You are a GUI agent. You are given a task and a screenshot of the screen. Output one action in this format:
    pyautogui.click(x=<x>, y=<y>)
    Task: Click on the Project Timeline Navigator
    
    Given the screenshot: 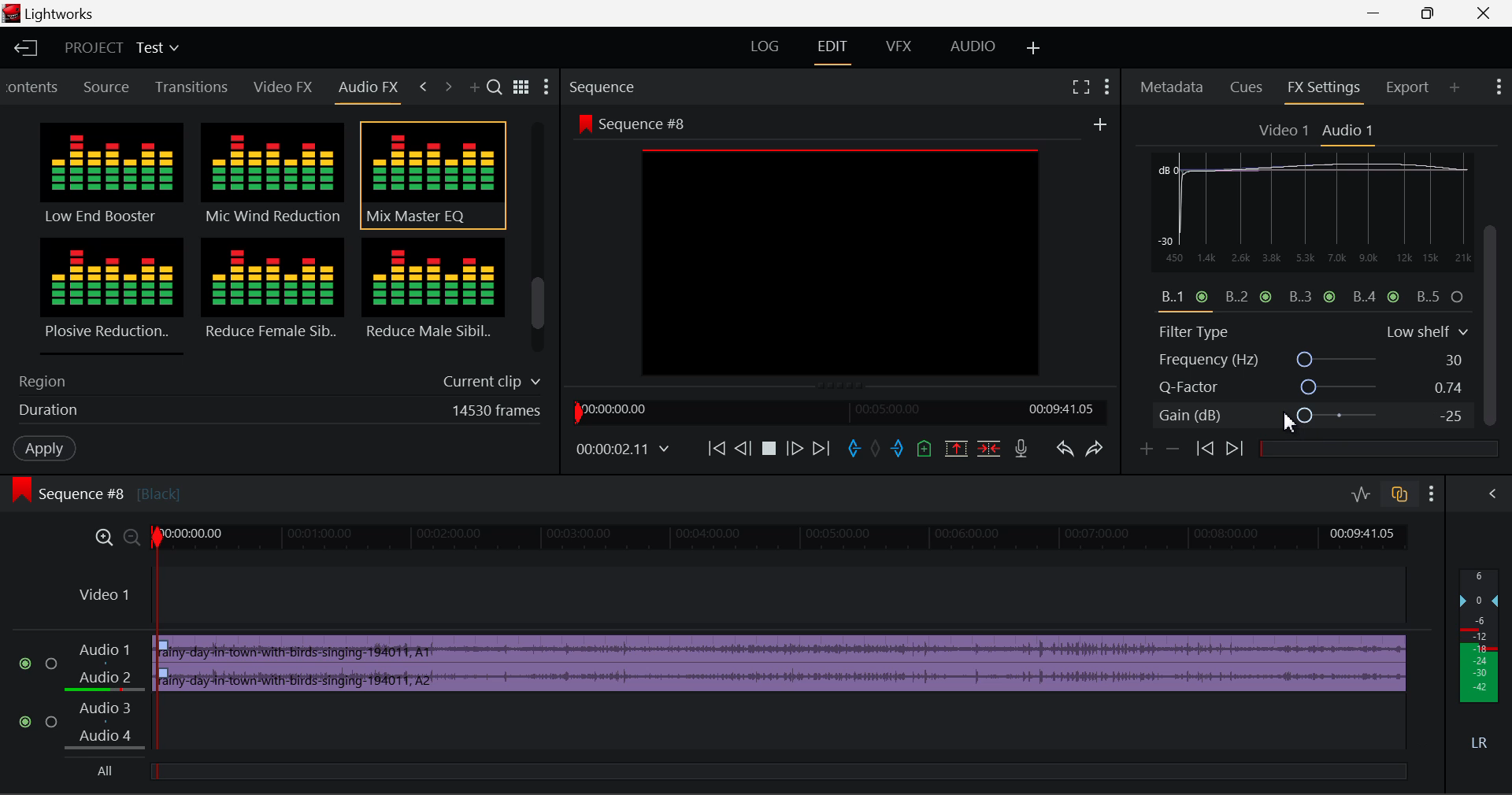 What is the action you would take?
    pyautogui.click(x=838, y=411)
    